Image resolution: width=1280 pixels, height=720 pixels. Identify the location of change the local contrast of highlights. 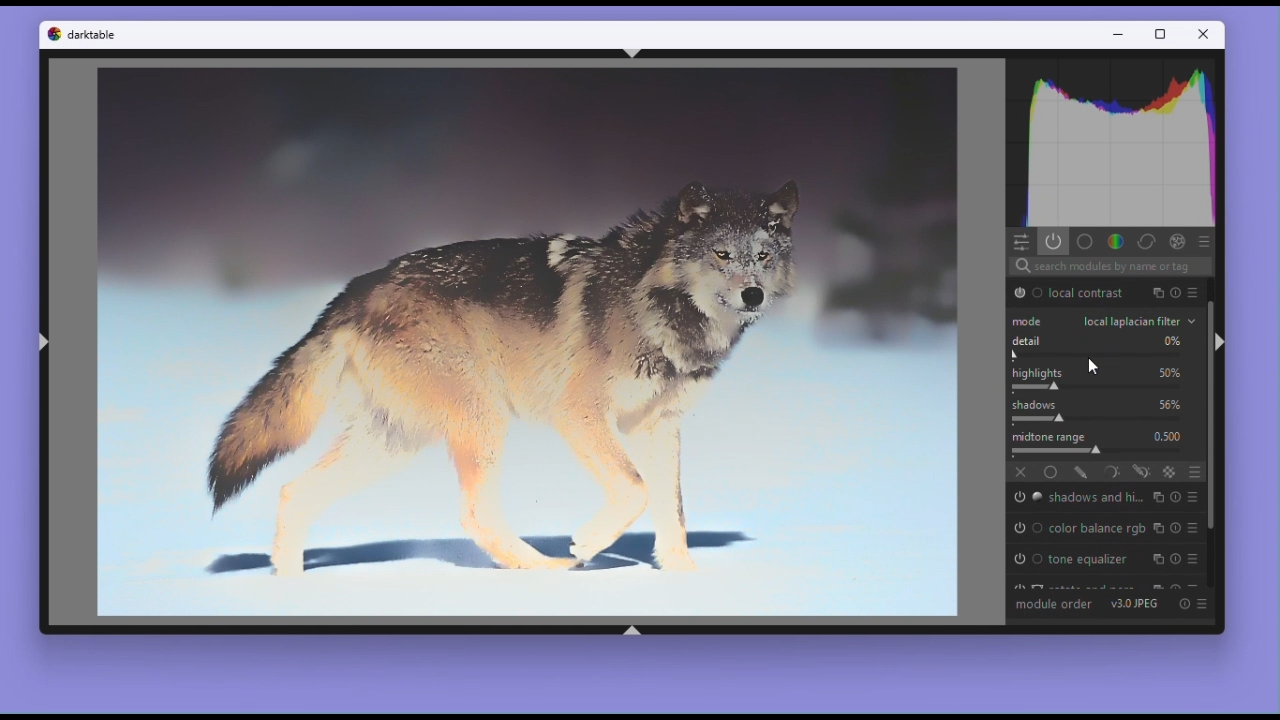
(1036, 387).